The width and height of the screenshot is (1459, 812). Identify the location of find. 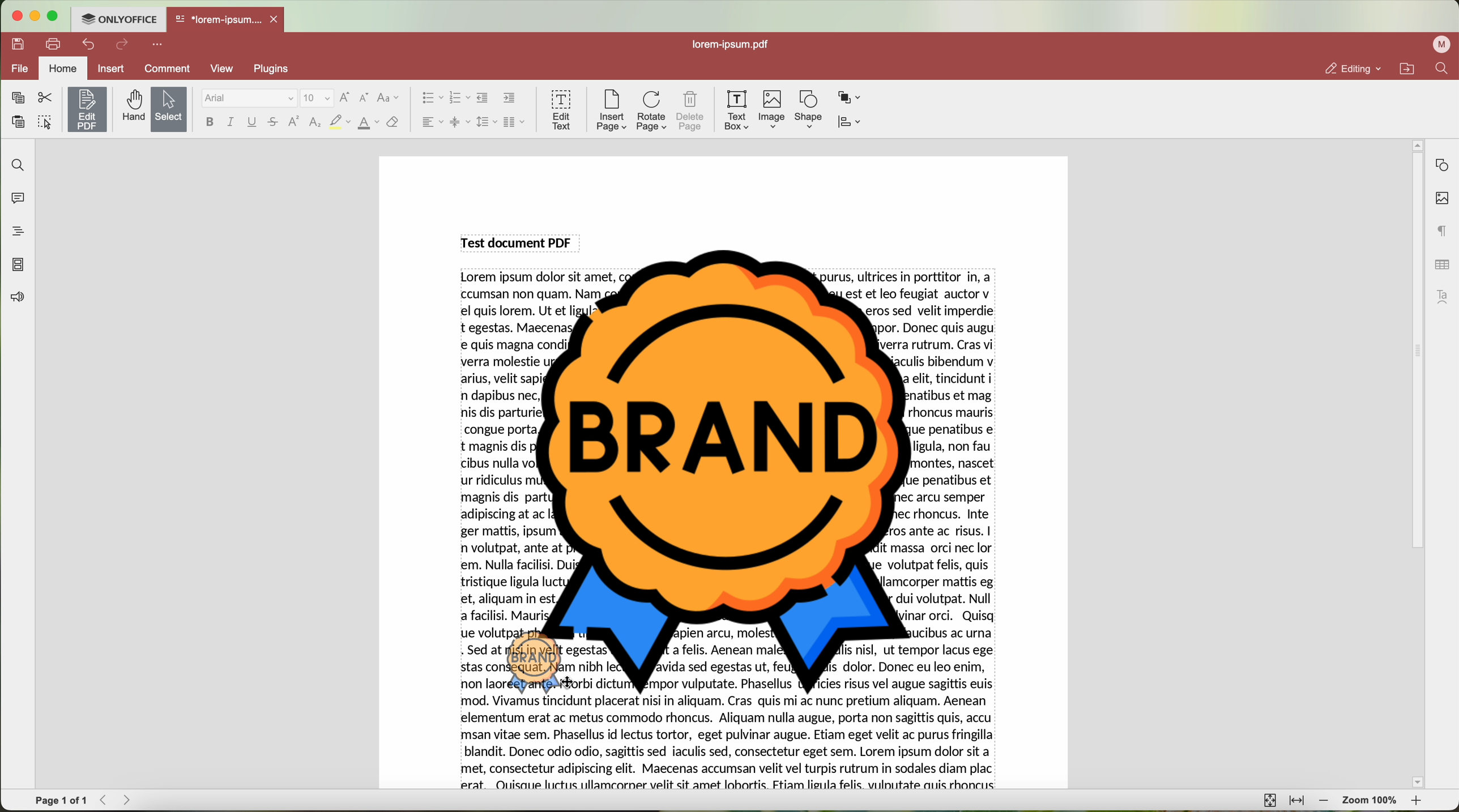
(15, 164).